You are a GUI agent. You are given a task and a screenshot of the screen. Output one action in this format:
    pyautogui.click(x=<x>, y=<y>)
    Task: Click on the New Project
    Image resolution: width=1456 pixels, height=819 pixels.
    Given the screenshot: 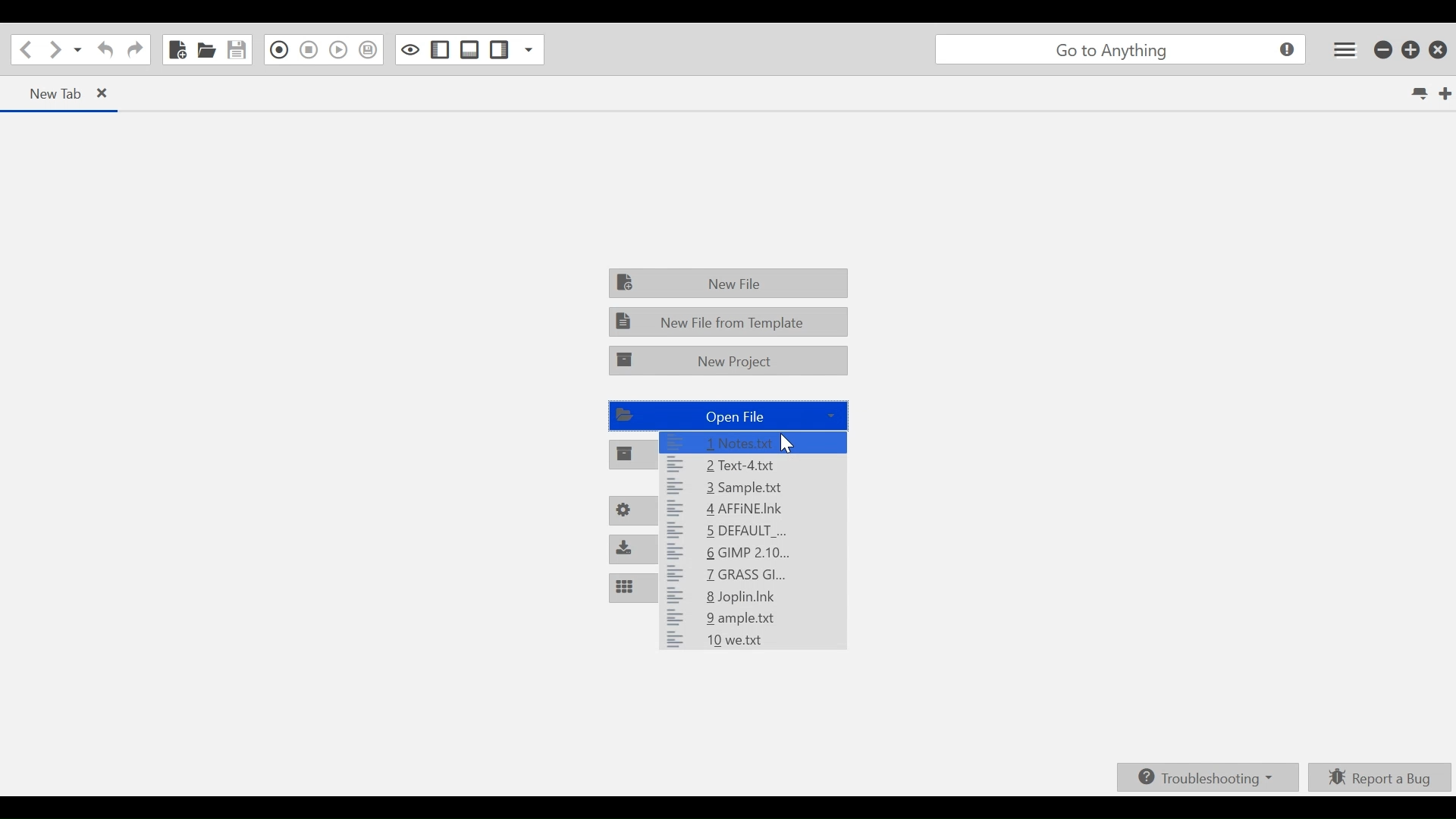 What is the action you would take?
    pyautogui.click(x=730, y=360)
    